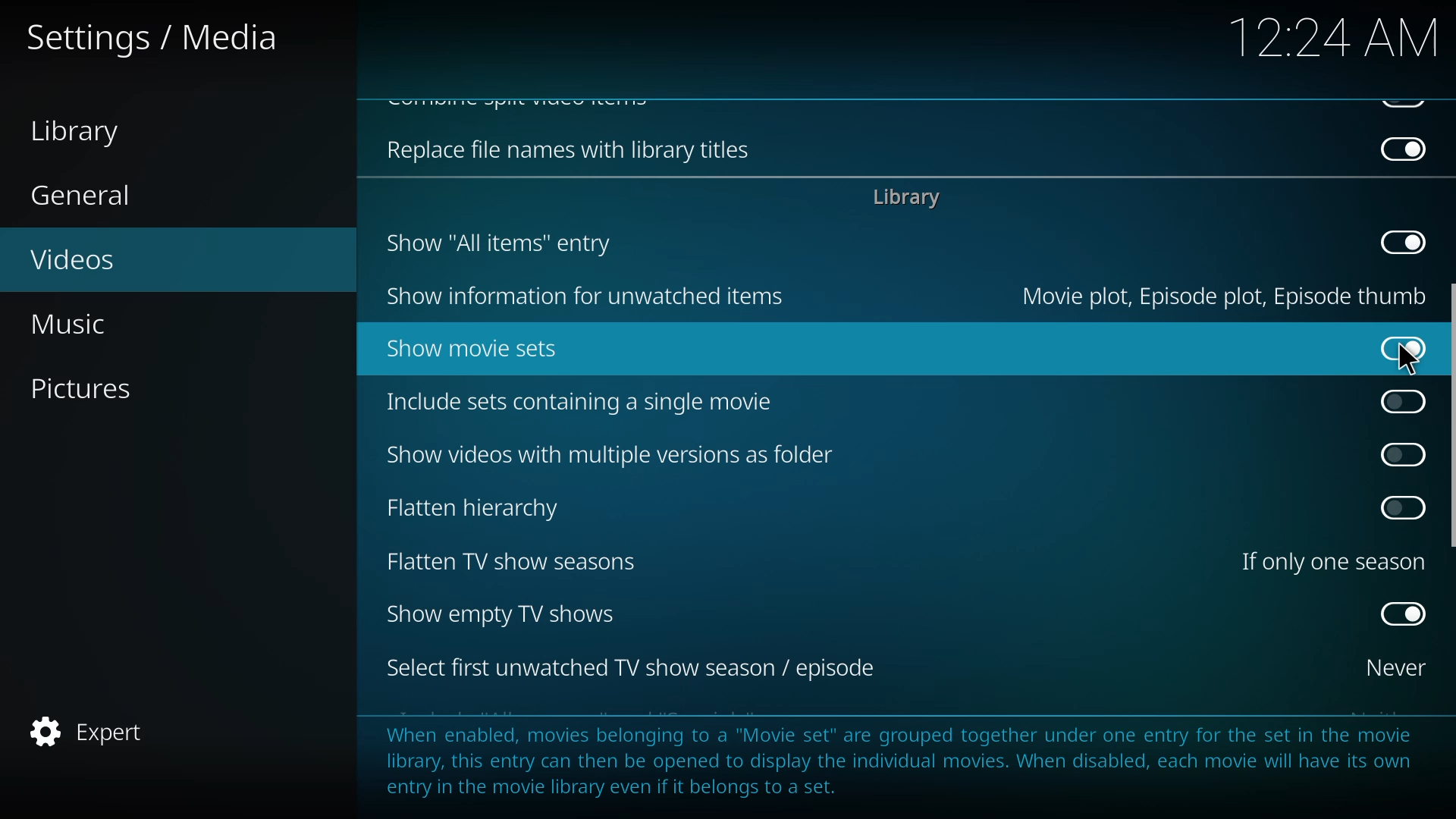 This screenshot has width=1456, height=819. Describe the element at coordinates (1404, 241) in the screenshot. I see `disabled` at that location.